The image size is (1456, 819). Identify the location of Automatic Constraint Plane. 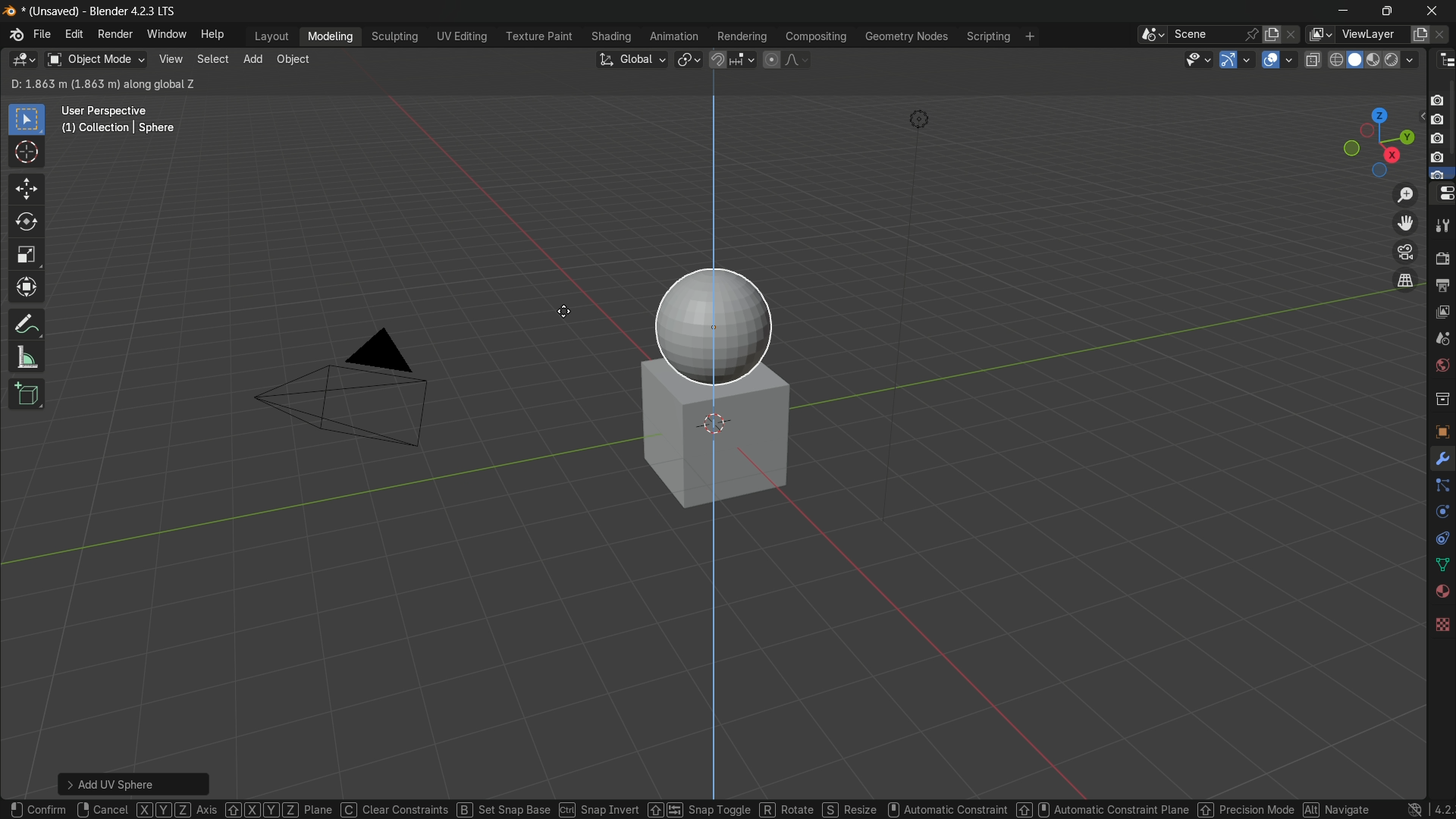
(988, 808).